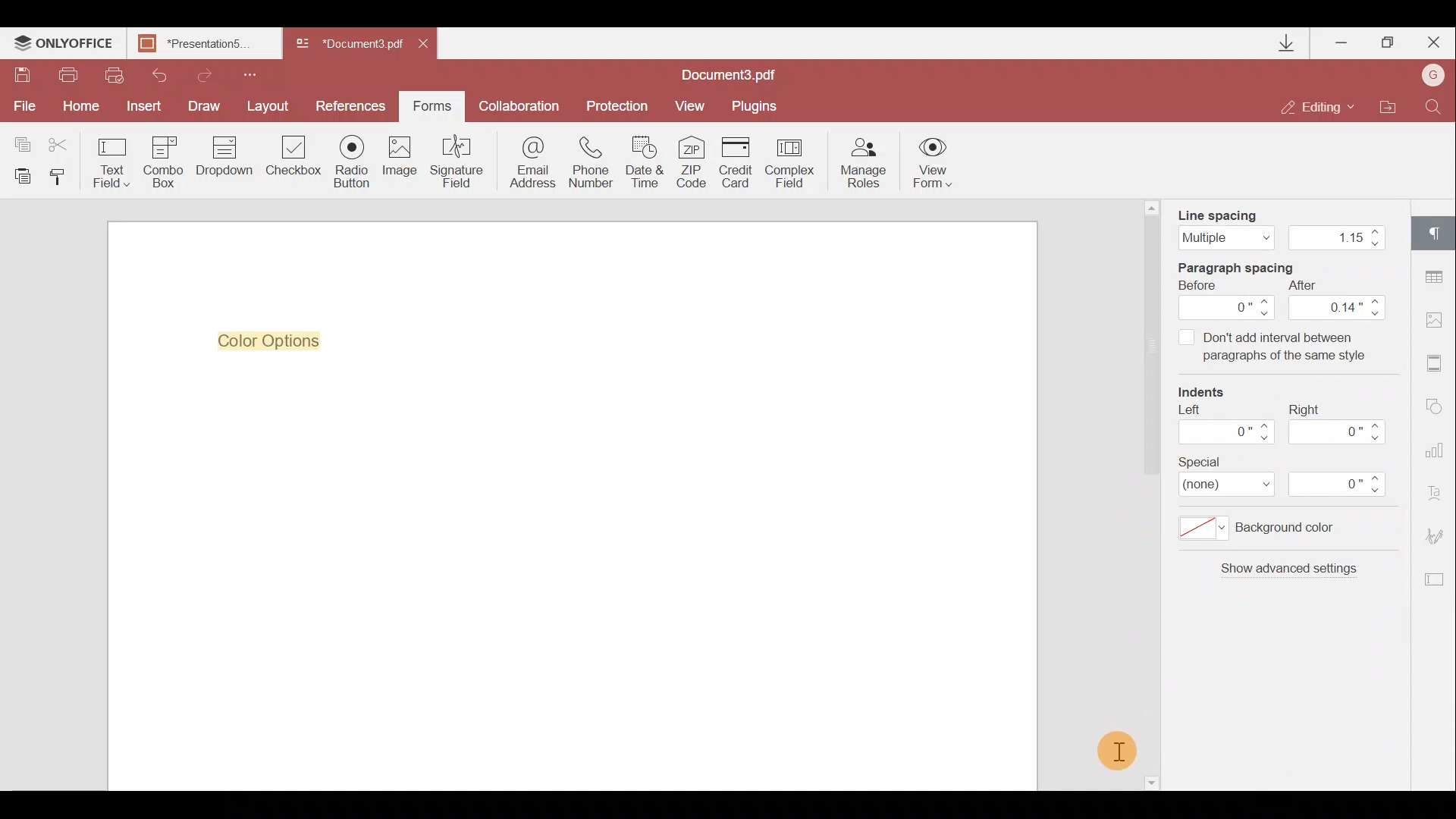  Describe the element at coordinates (756, 107) in the screenshot. I see `Plugins` at that location.